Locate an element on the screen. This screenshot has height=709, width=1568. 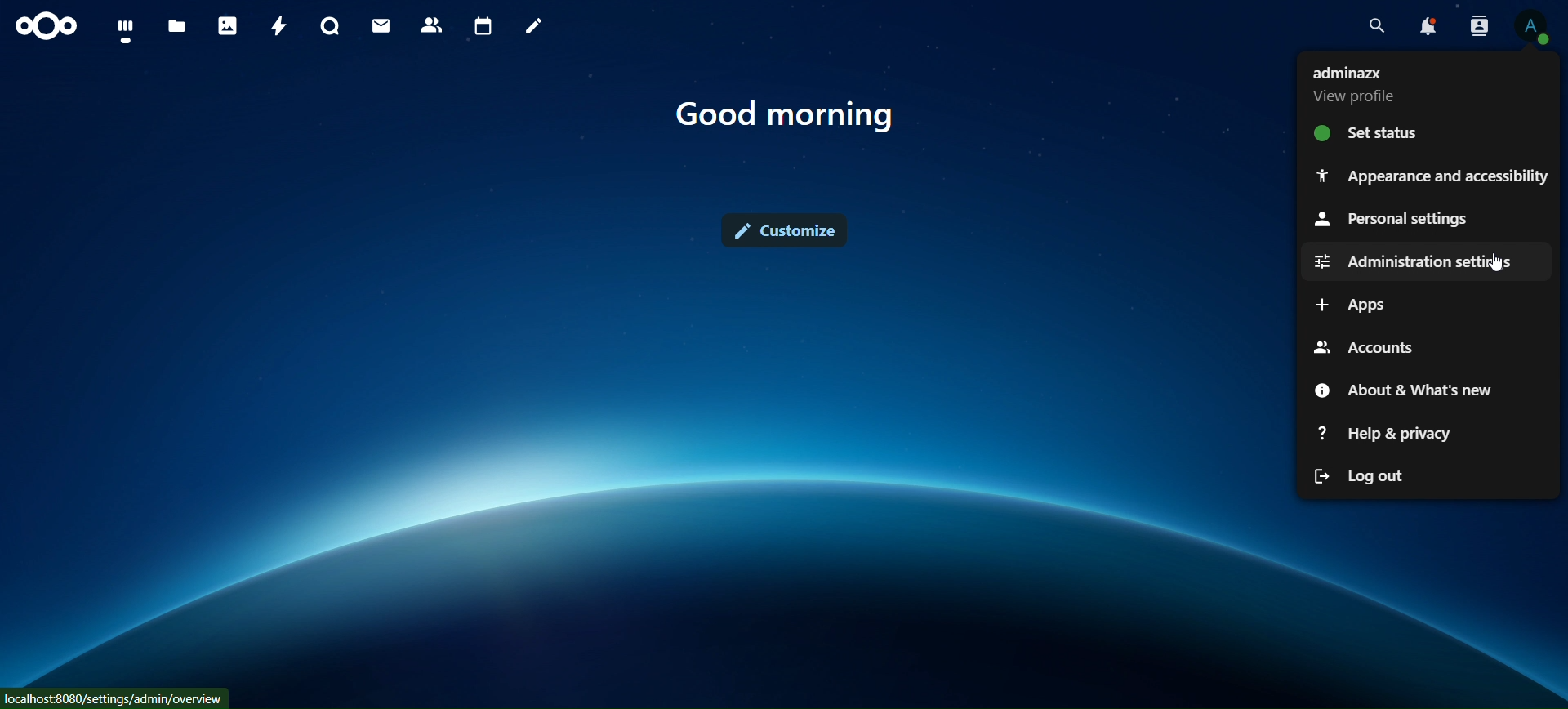
talk is located at coordinates (332, 26).